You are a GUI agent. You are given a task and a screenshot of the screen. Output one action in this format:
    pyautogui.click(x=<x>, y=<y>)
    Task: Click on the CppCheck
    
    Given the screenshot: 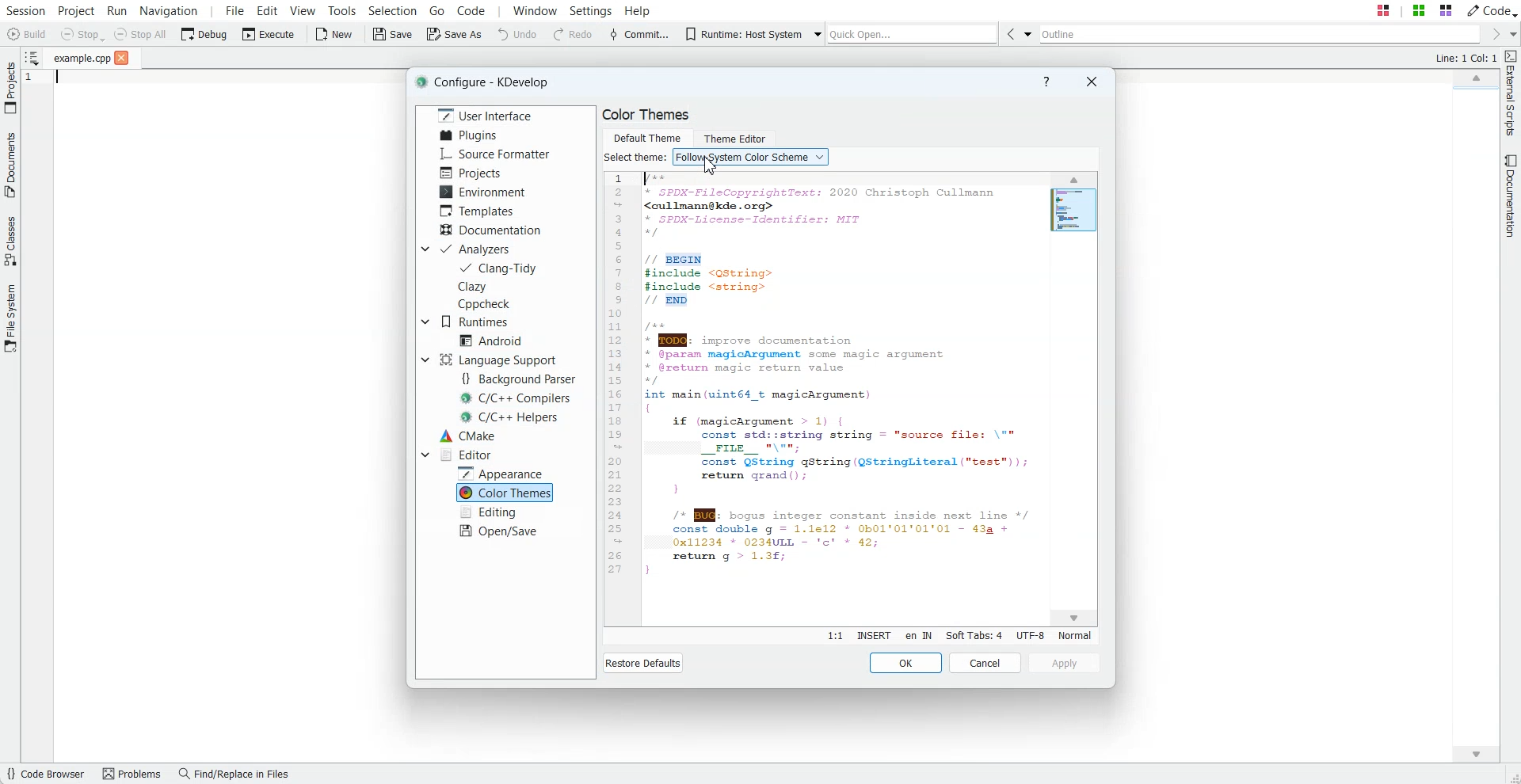 What is the action you would take?
    pyautogui.click(x=487, y=304)
    